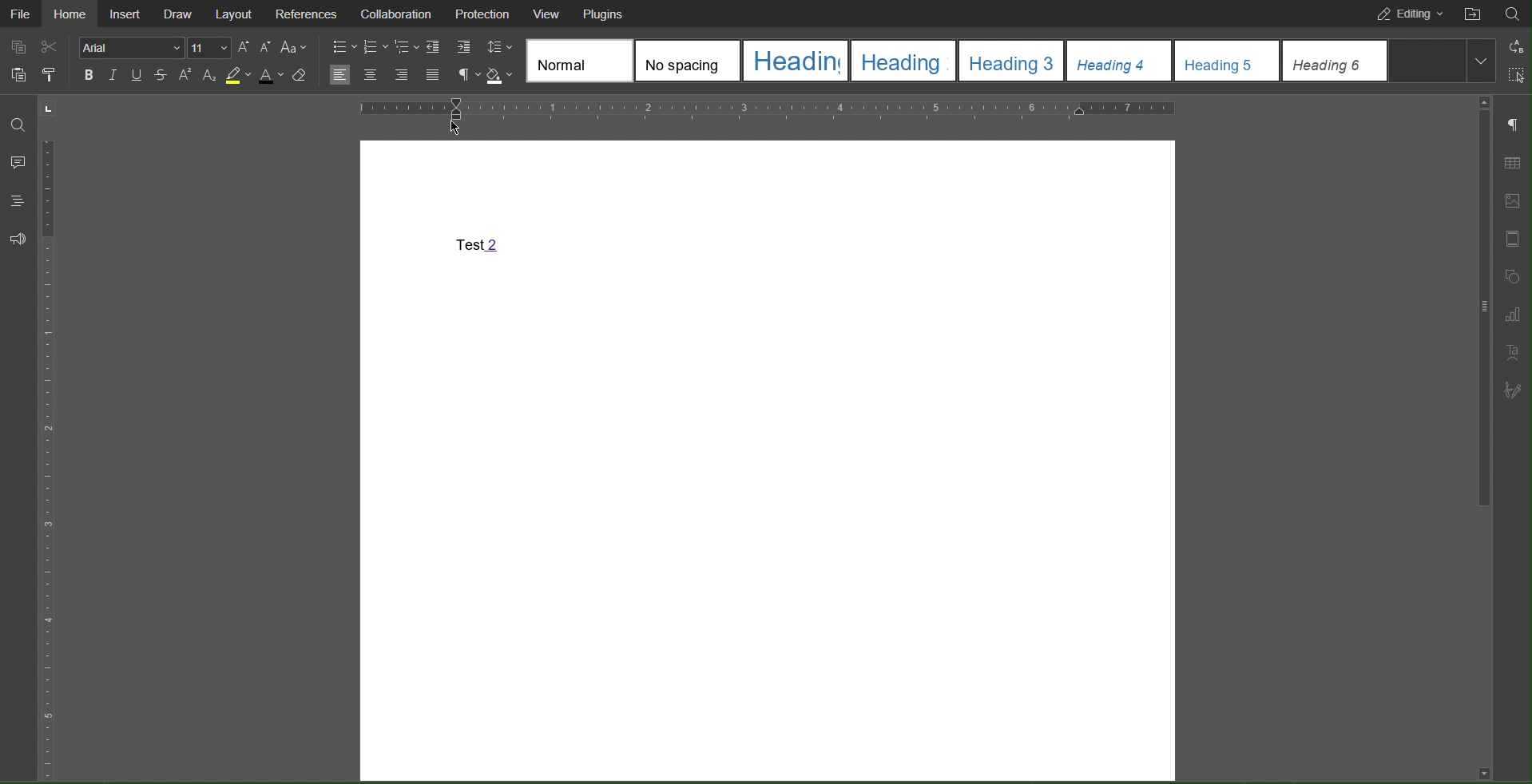 Image resolution: width=1532 pixels, height=784 pixels. What do you see at coordinates (770, 107) in the screenshot?
I see `Horizontal Ruler` at bounding box center [770, 107].